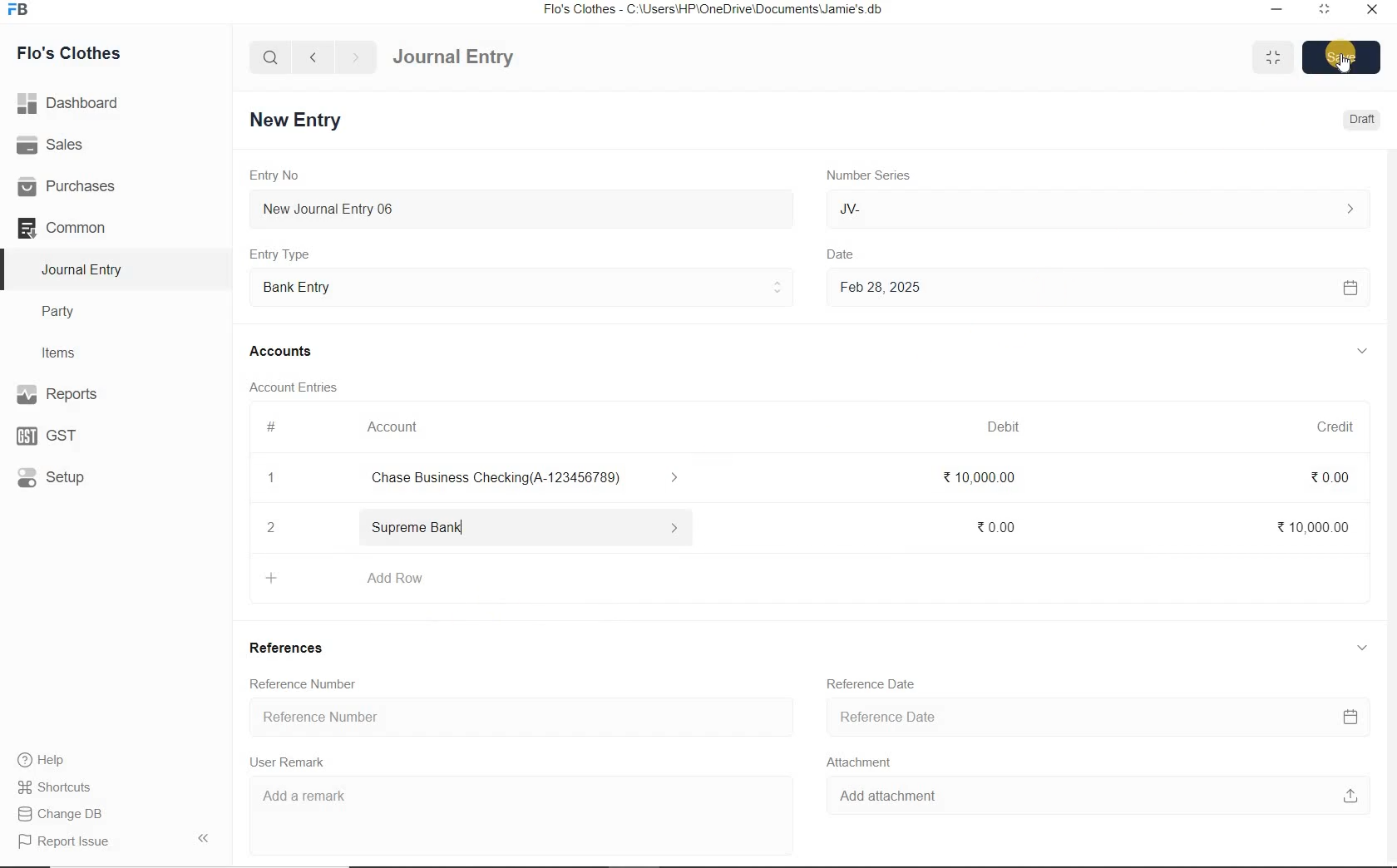 This screenshot has height=868, width=1397. I want to click on 1, so click(272, 480).